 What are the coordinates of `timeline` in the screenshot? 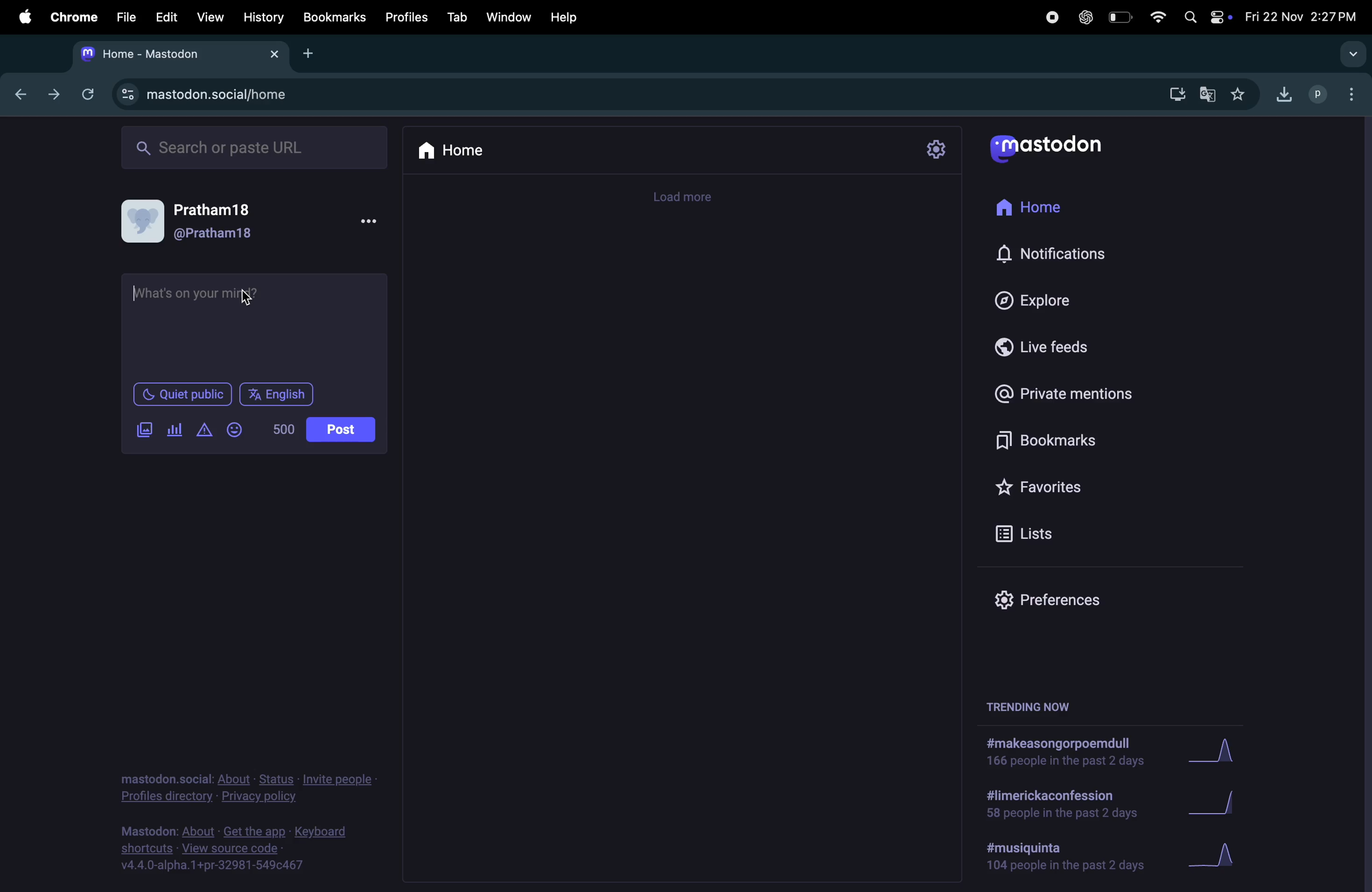 It's located at (695, 198).